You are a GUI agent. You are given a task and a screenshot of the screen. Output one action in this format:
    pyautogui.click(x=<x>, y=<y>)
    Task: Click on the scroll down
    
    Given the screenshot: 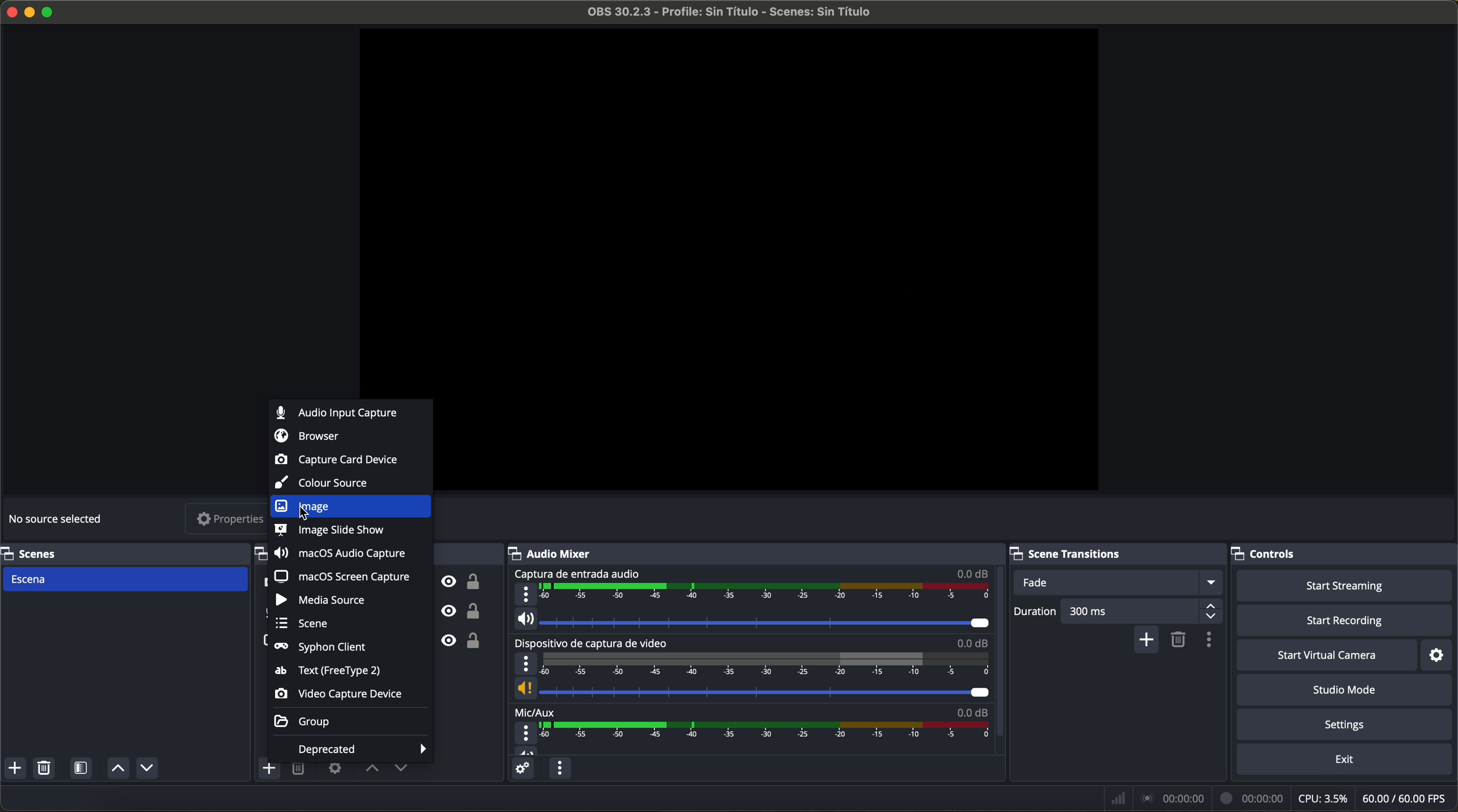 What is the action you would take?
    pyautogui.click(x=1001, y=640)
    